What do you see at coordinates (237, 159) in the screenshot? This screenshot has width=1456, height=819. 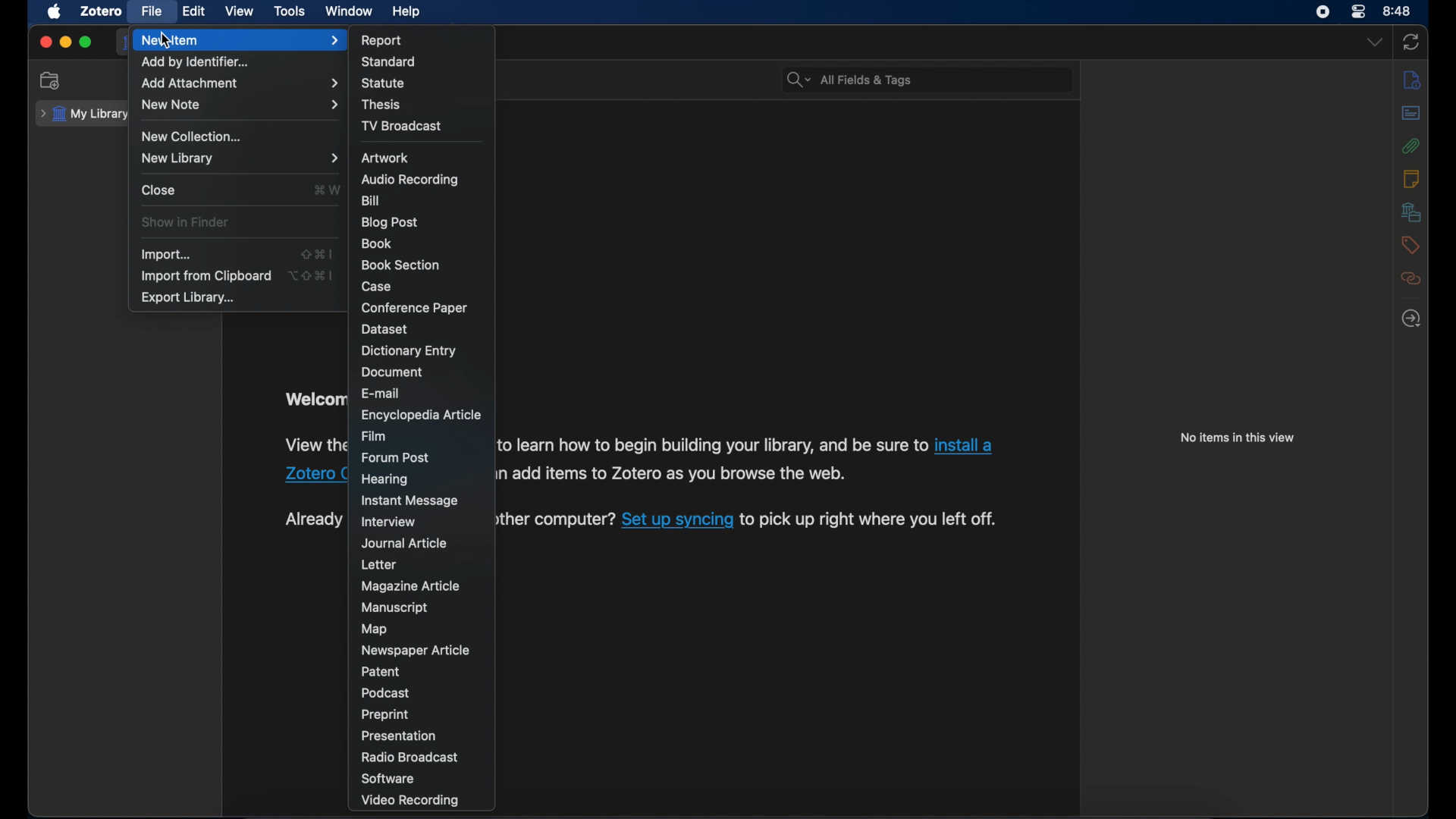 I see `new library ` at bounding box center [237, 159].